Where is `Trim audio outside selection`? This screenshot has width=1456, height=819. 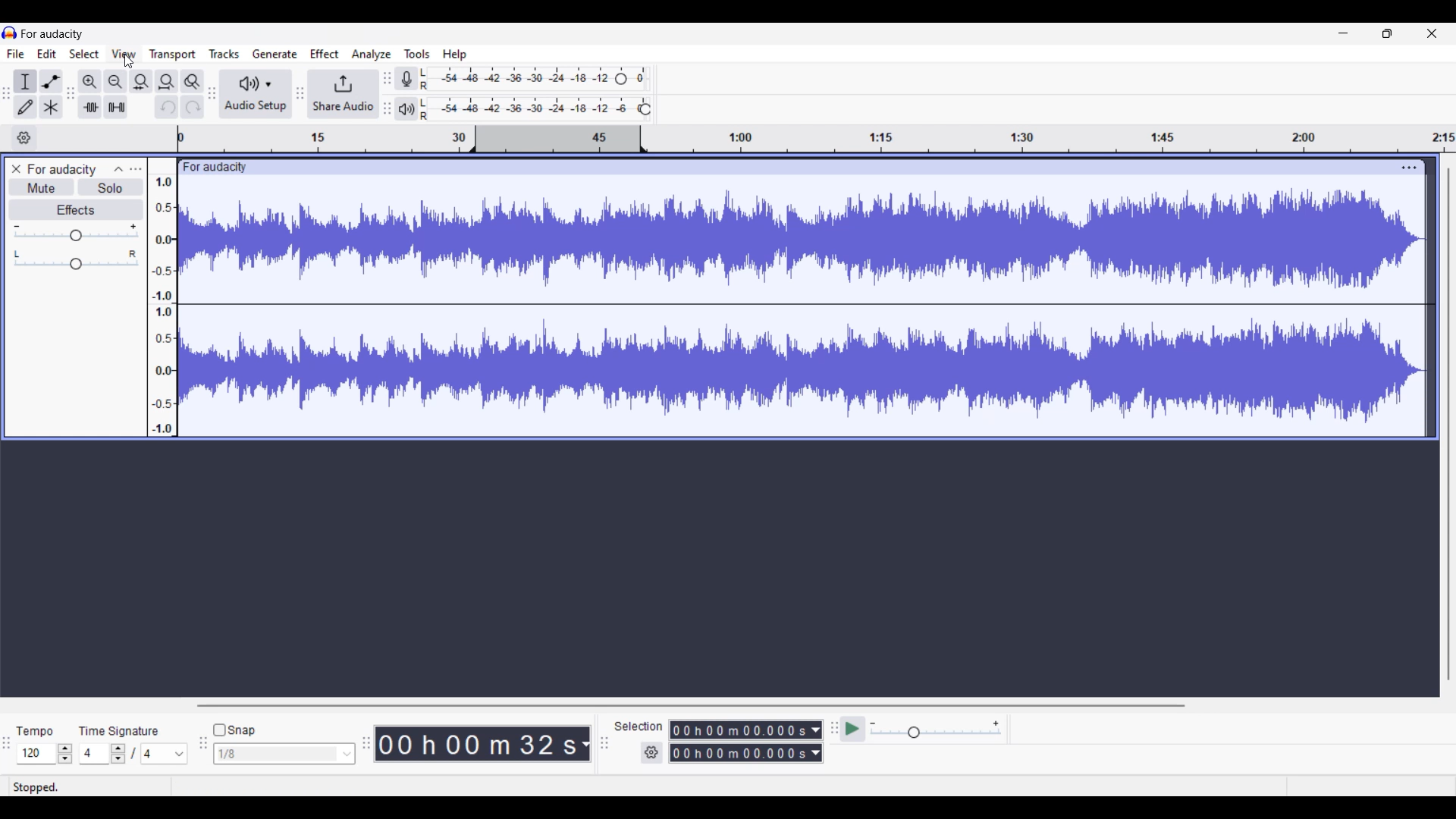
Trim audio outside selection is located at coordinates (90, 107).